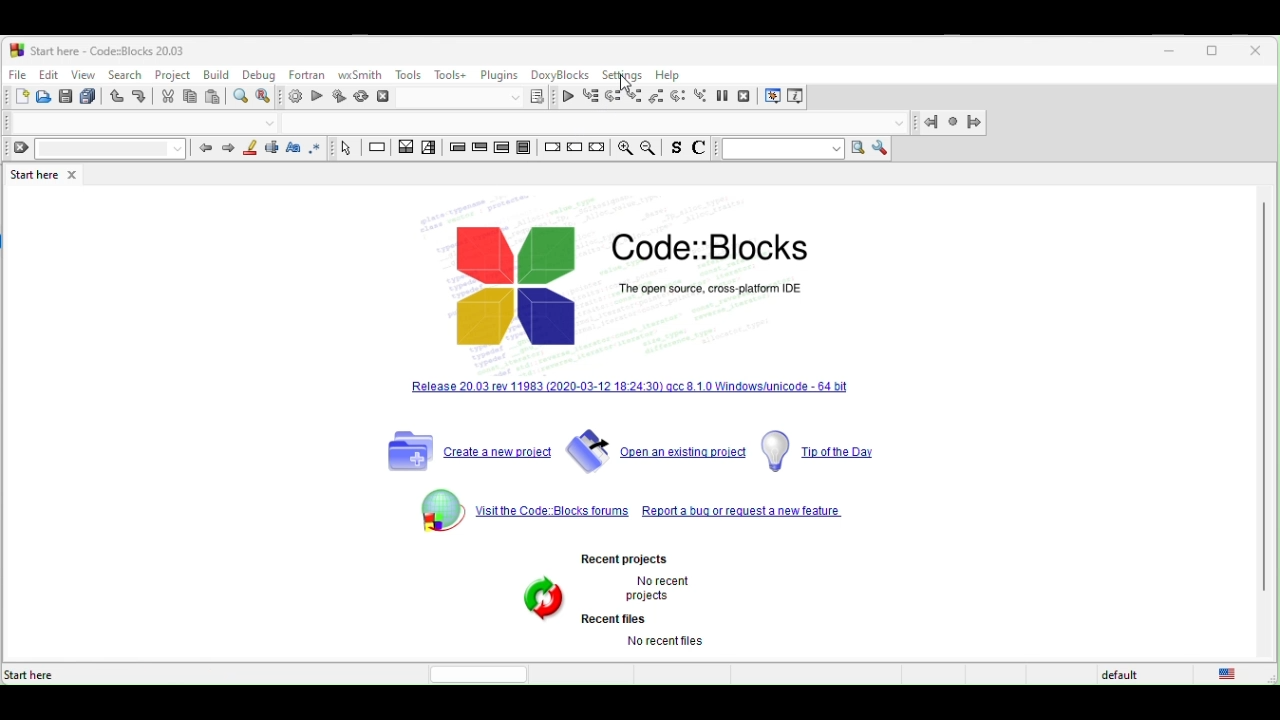 The image size is (1280, 720). I want to click on minimize, so click(1170, 52).